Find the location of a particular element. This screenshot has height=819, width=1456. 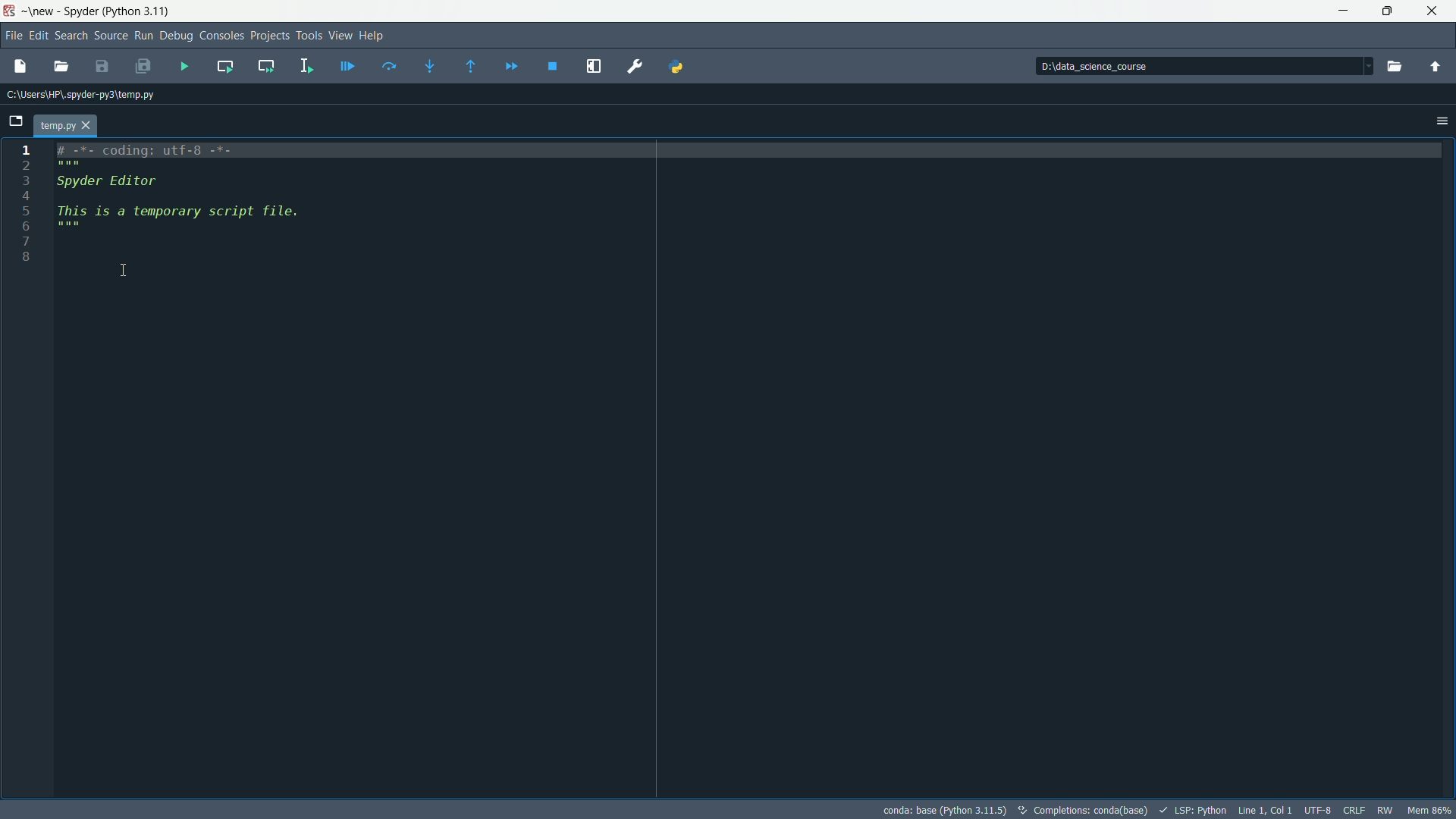

execute current line is located at coordinates (391, 65).